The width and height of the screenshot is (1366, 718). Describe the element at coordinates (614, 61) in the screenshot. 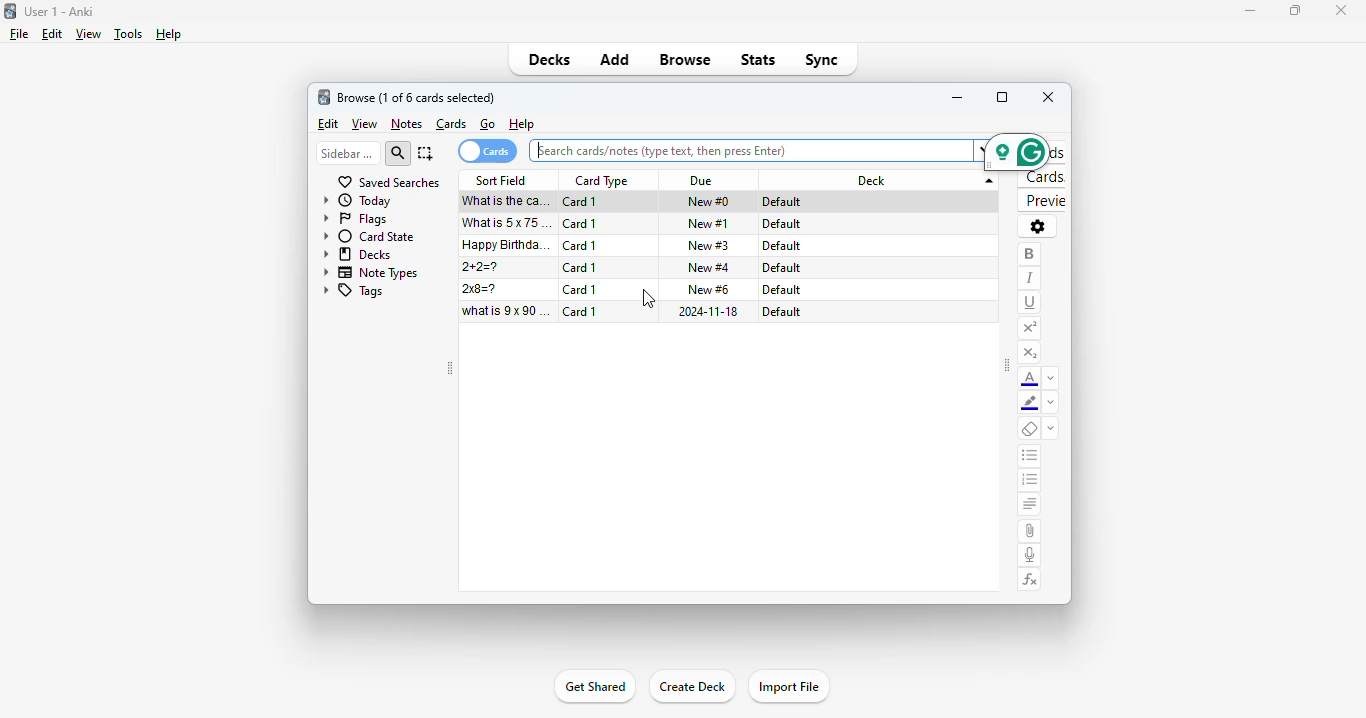

I see `add` at that location.